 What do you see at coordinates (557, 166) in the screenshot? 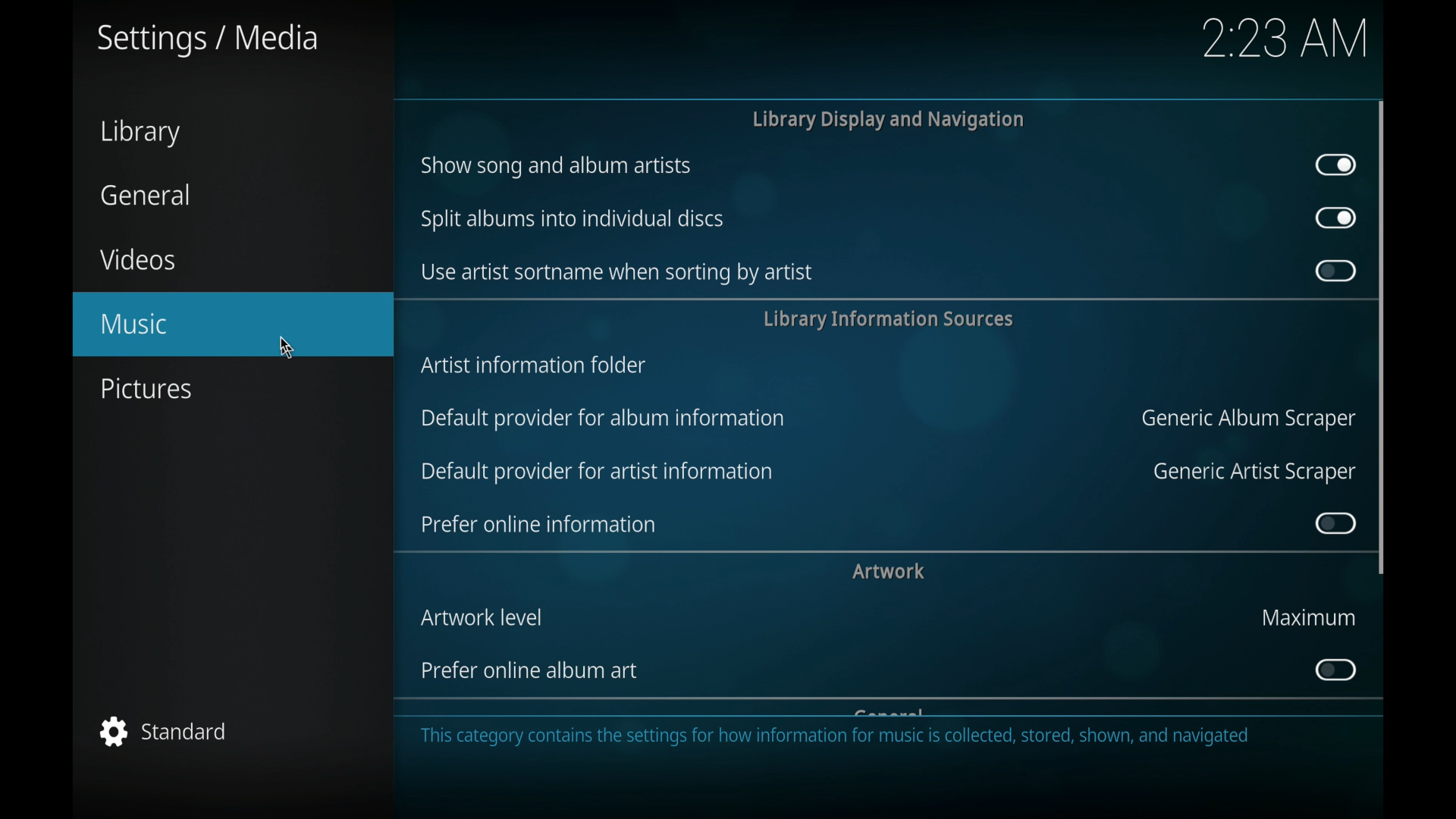
I see `show song and album artists` at bounding box center [557, 166].